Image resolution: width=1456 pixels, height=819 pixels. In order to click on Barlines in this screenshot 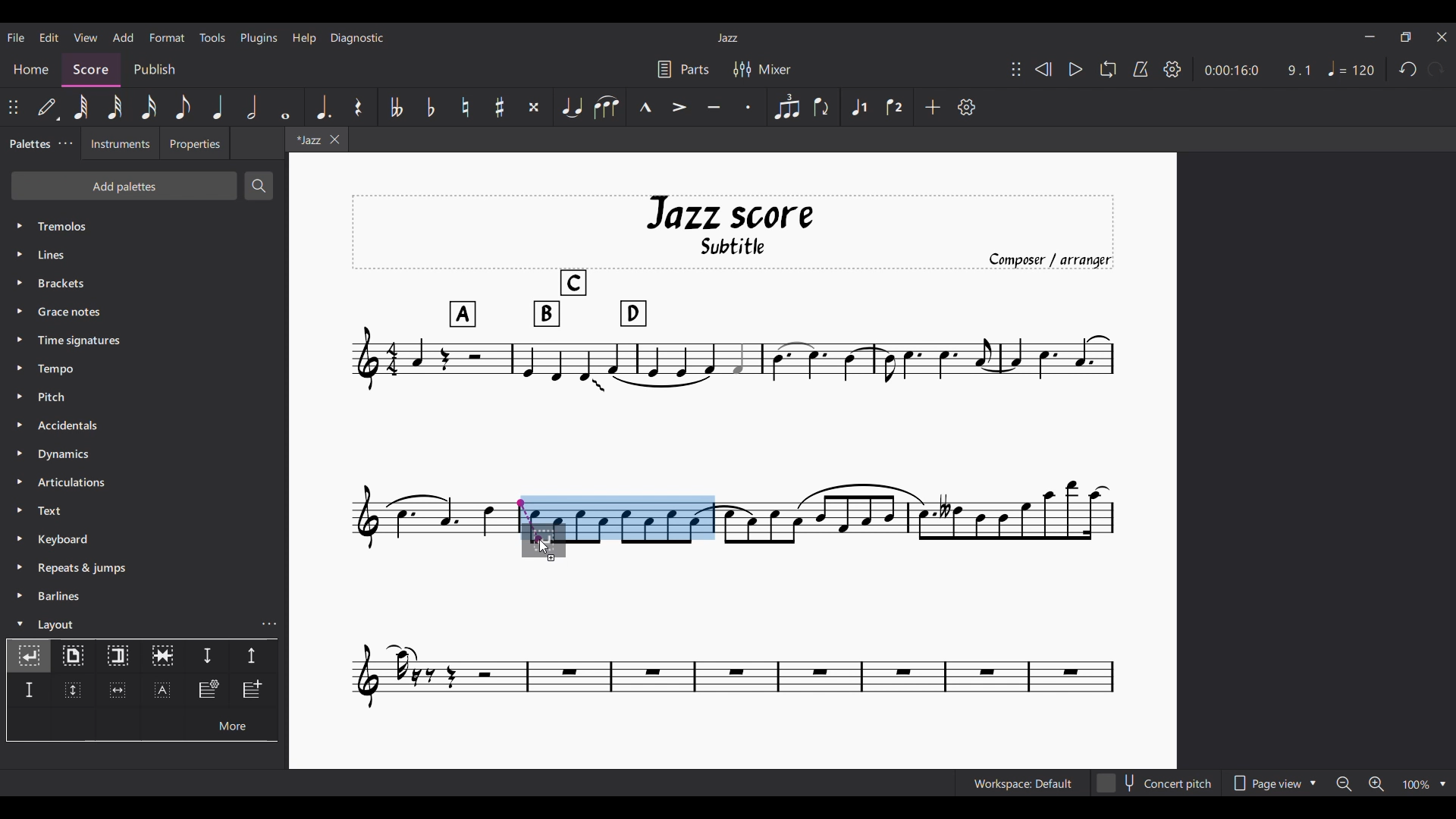, I will do `click(144, 596)`.